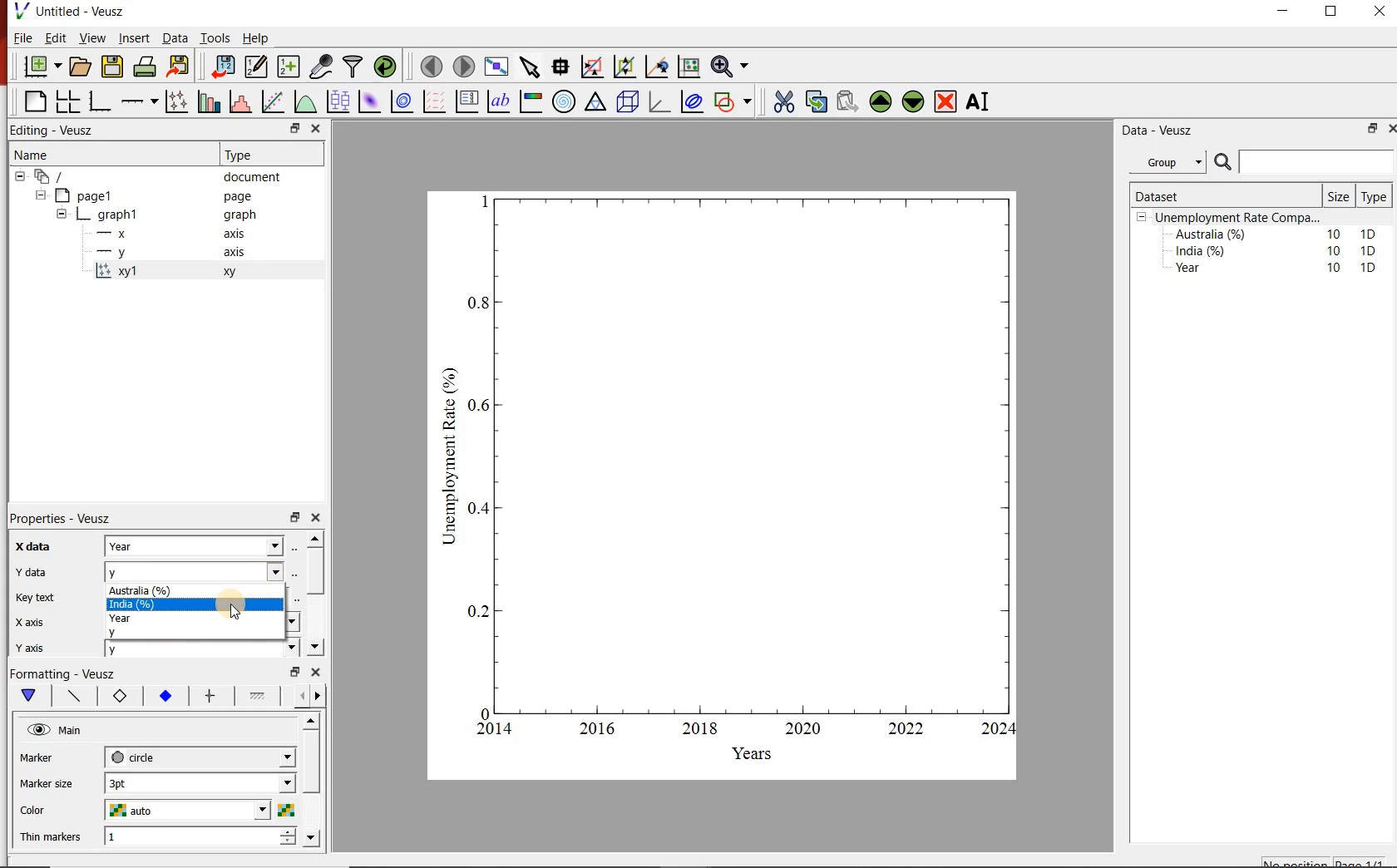 Image resolution: width=1397 pixels, height=868 pixels. What do you see at coordinates (176, 101) in the screenshot?
I see `plot points with lines and errorbars` at bounding box center [176, 101].